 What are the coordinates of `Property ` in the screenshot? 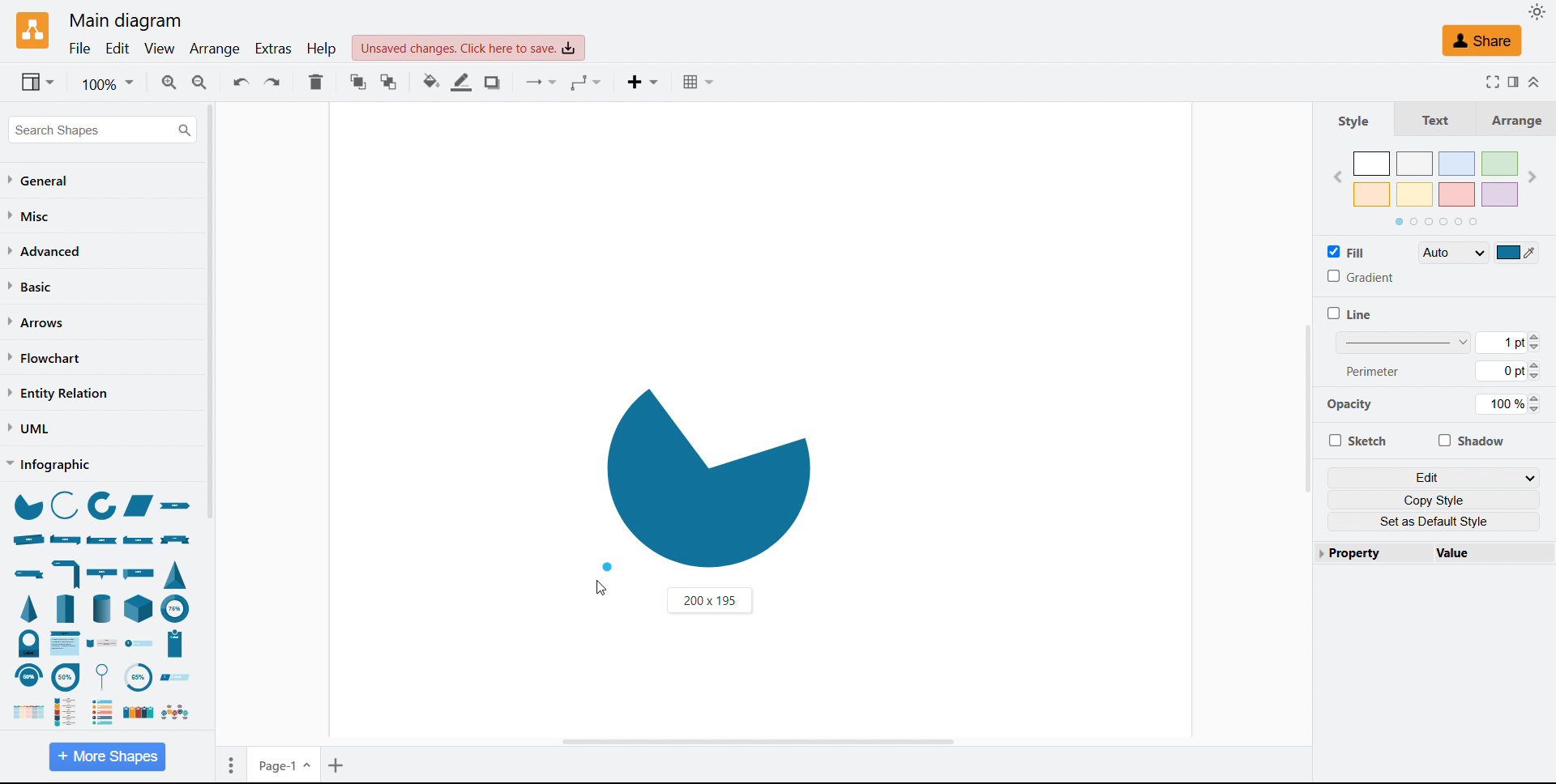 It's located at (1368, 552).